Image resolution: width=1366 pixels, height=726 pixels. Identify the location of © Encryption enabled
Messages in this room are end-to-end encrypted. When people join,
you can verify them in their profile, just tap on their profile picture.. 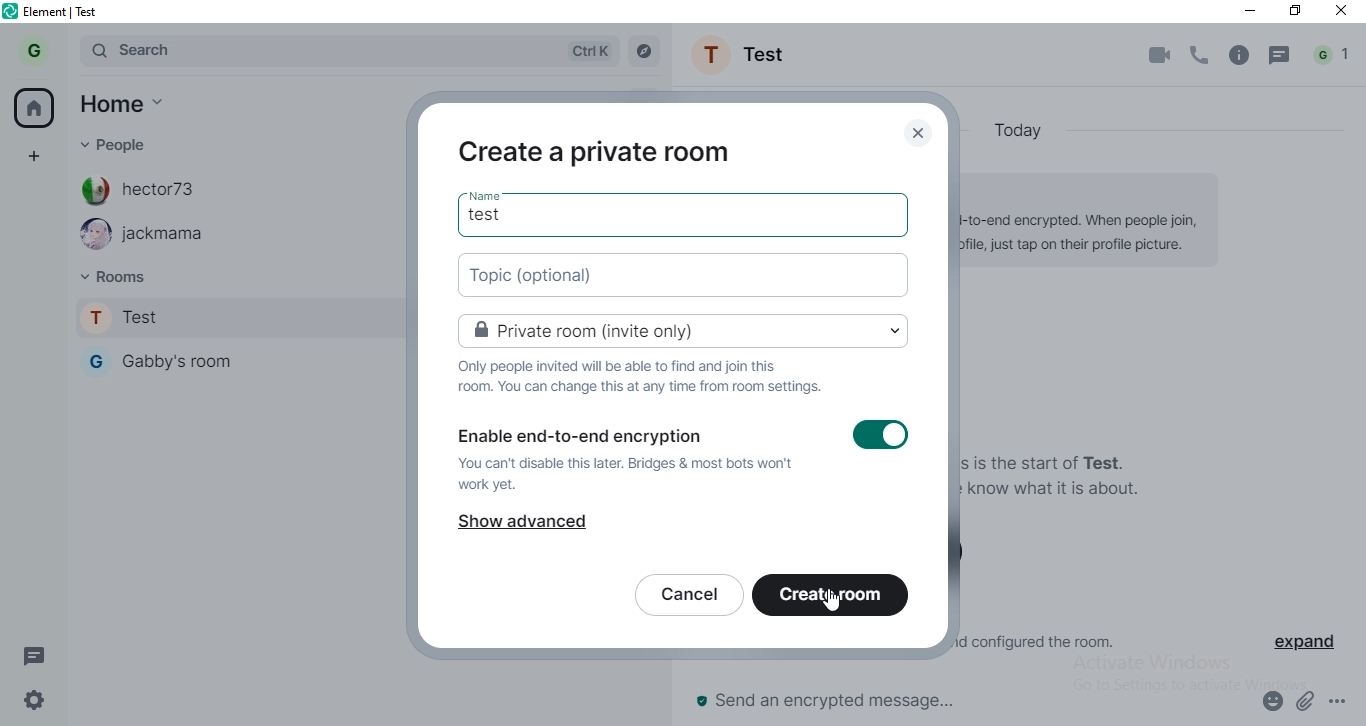
(1095, 227).